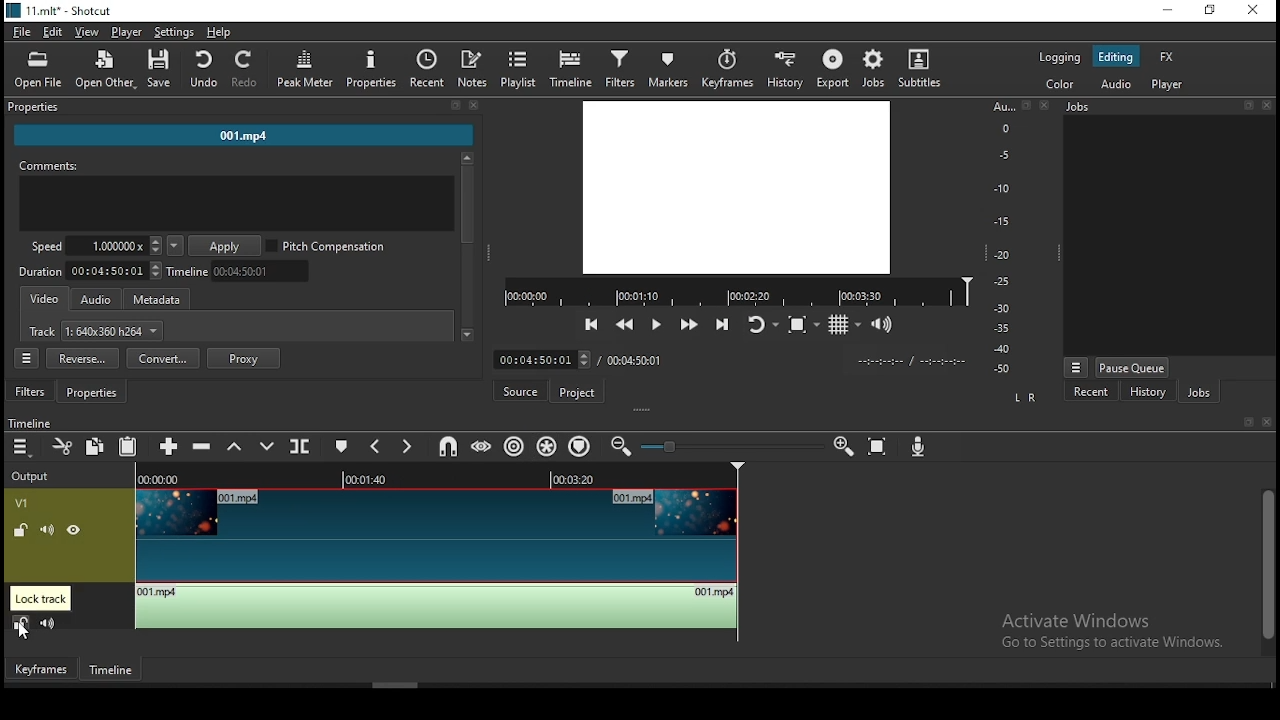  Describe the element at coordinates (626, 326) in the screenshot. I see `play quickly backwards` at that location.